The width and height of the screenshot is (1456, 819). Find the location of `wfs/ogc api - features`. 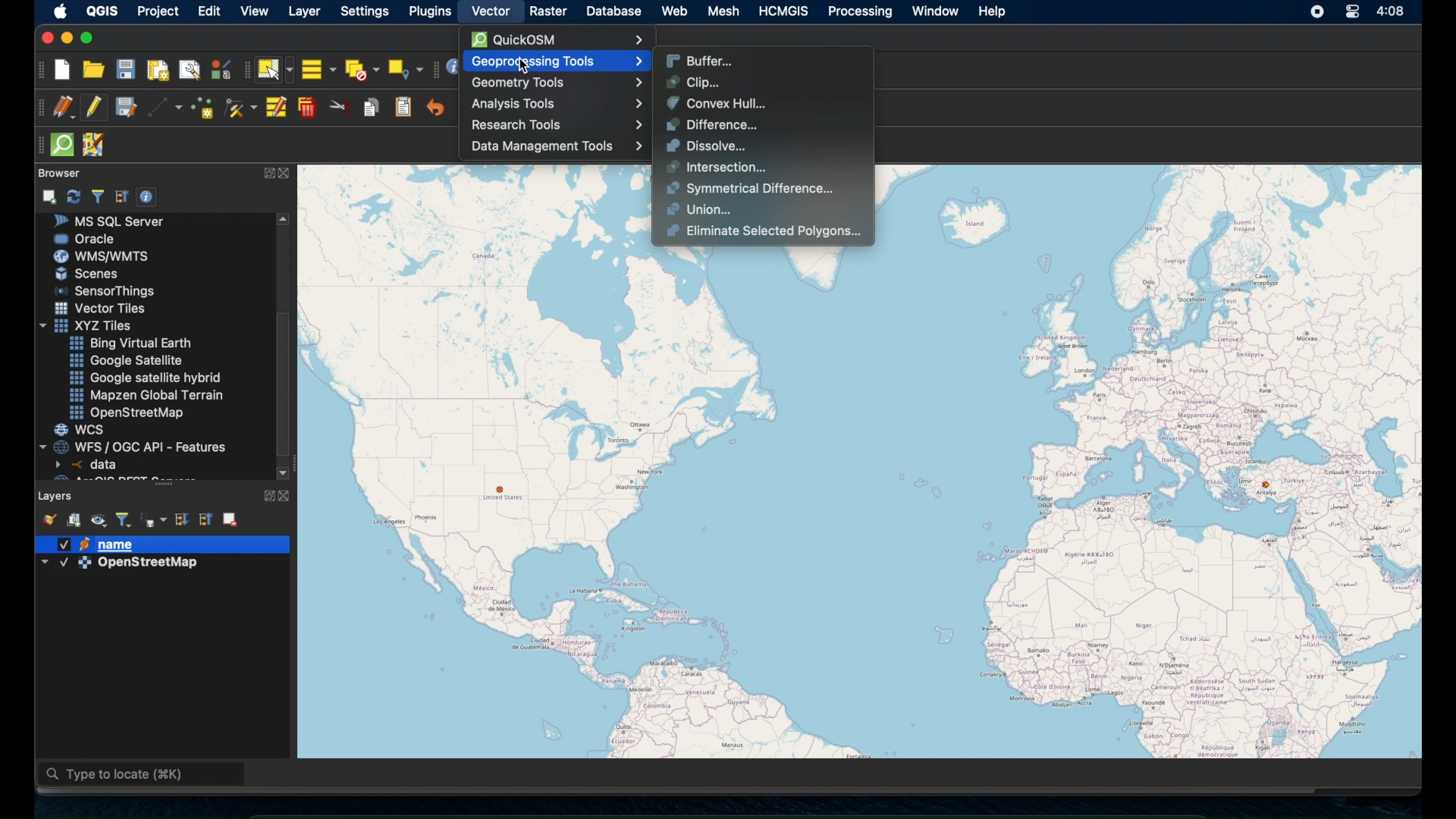

wfs/ogc api - features is located at coordinates (135, 446).